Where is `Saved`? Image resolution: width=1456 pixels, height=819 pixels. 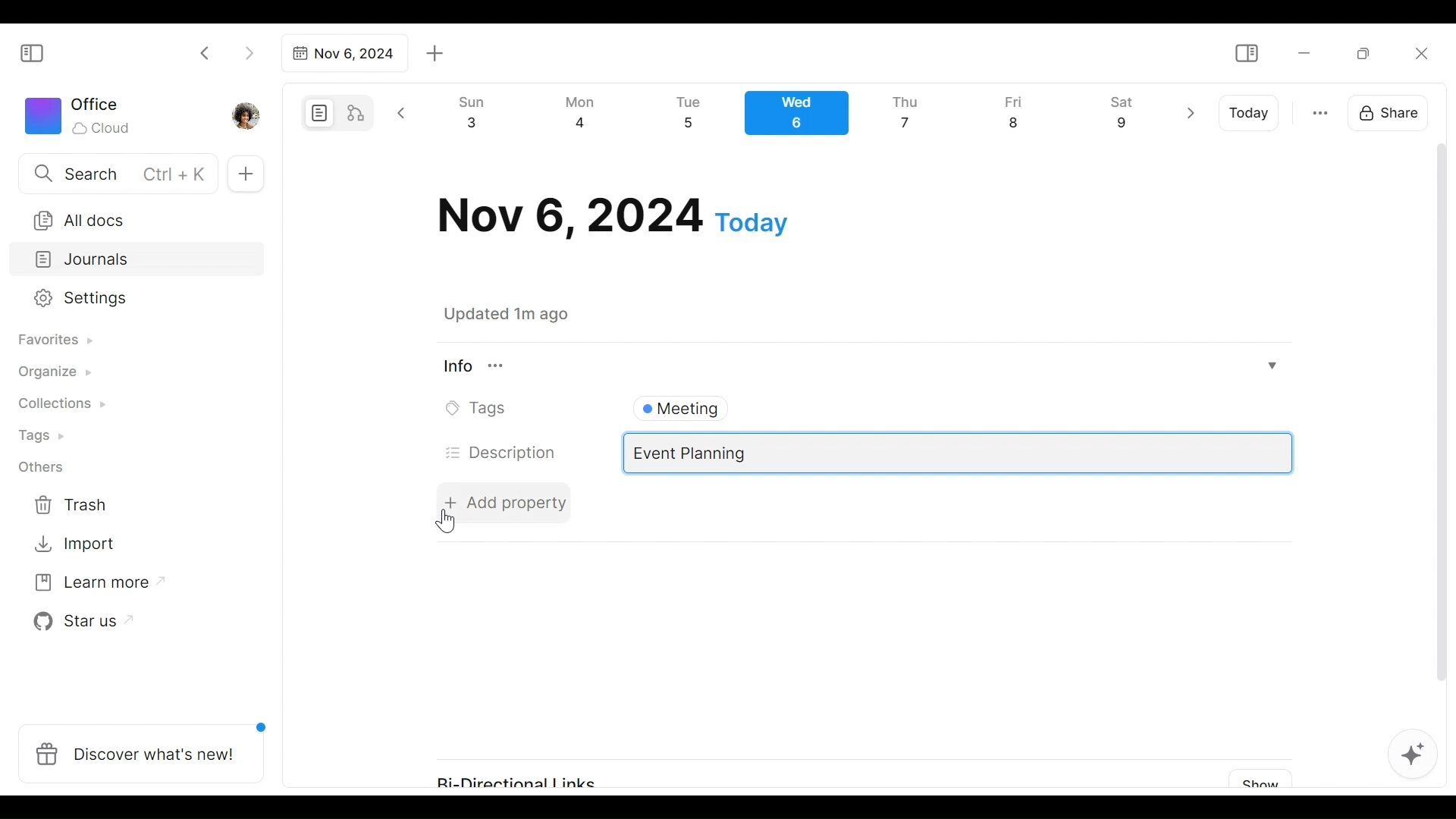
Saved is located at coordinates (525, 314).